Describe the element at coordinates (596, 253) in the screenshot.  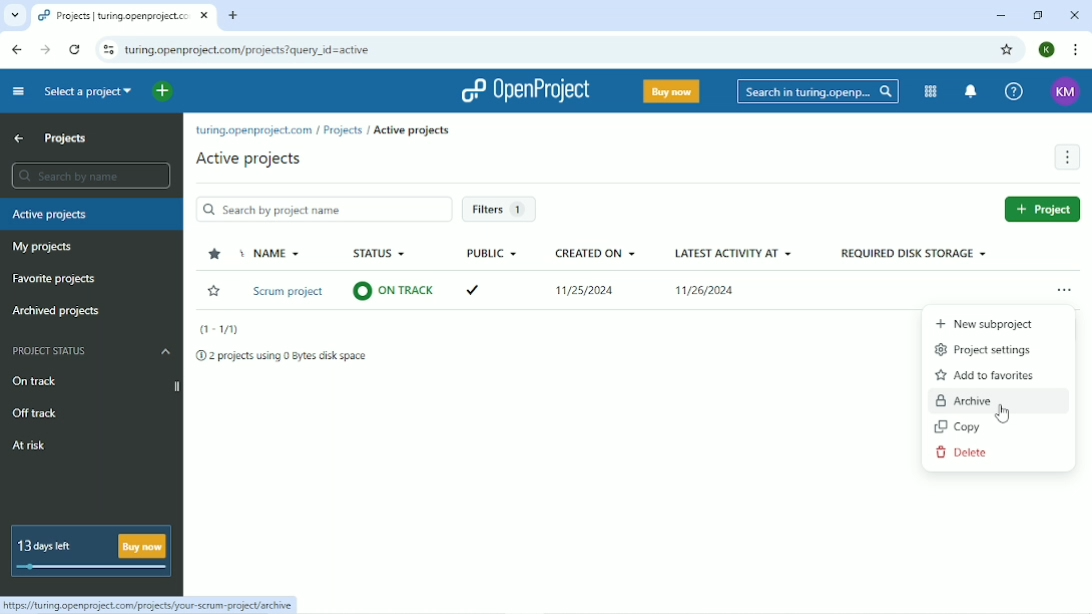
I see `Created on` at that location.